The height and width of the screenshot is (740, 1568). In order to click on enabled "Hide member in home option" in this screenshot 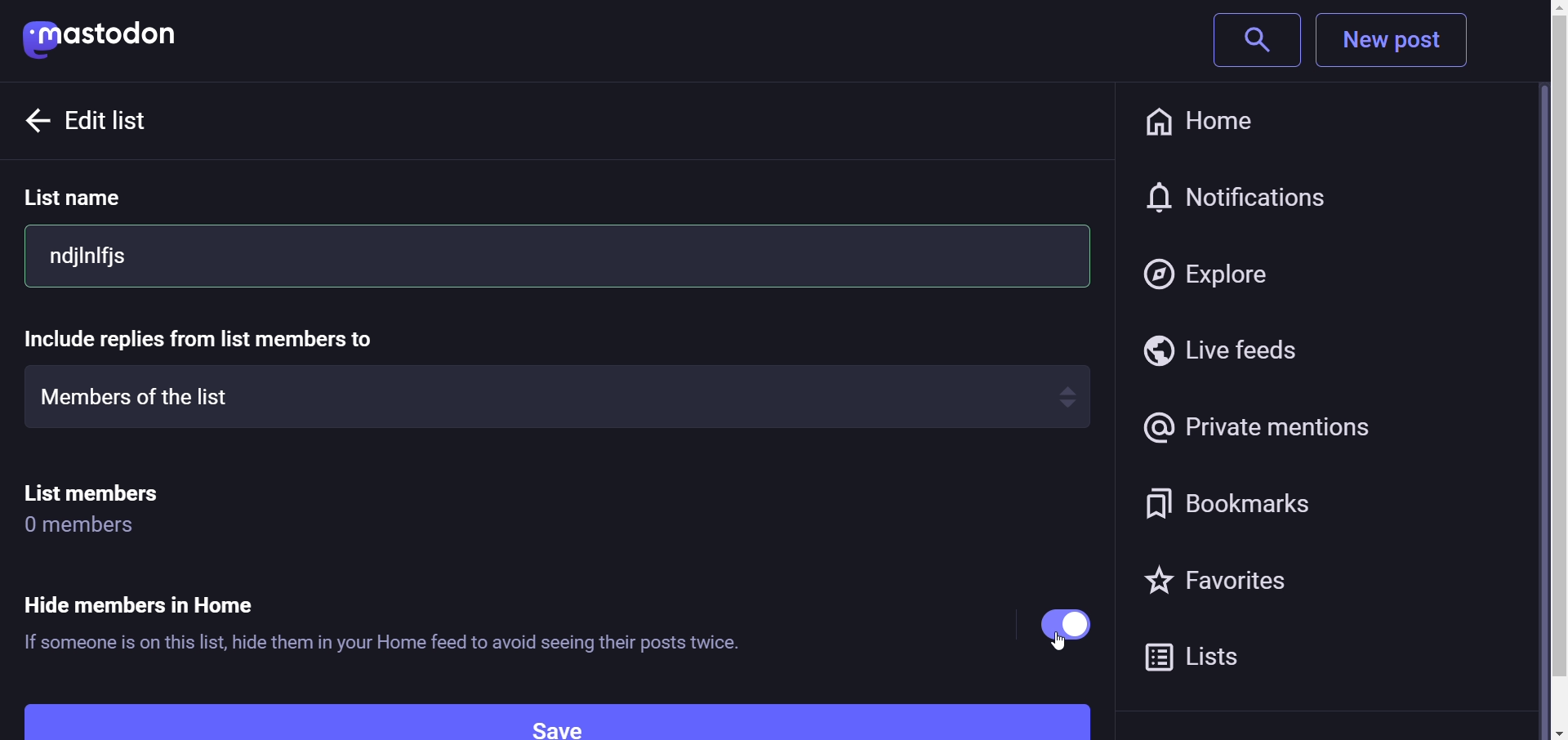, I will do `click(1065, 626)`.